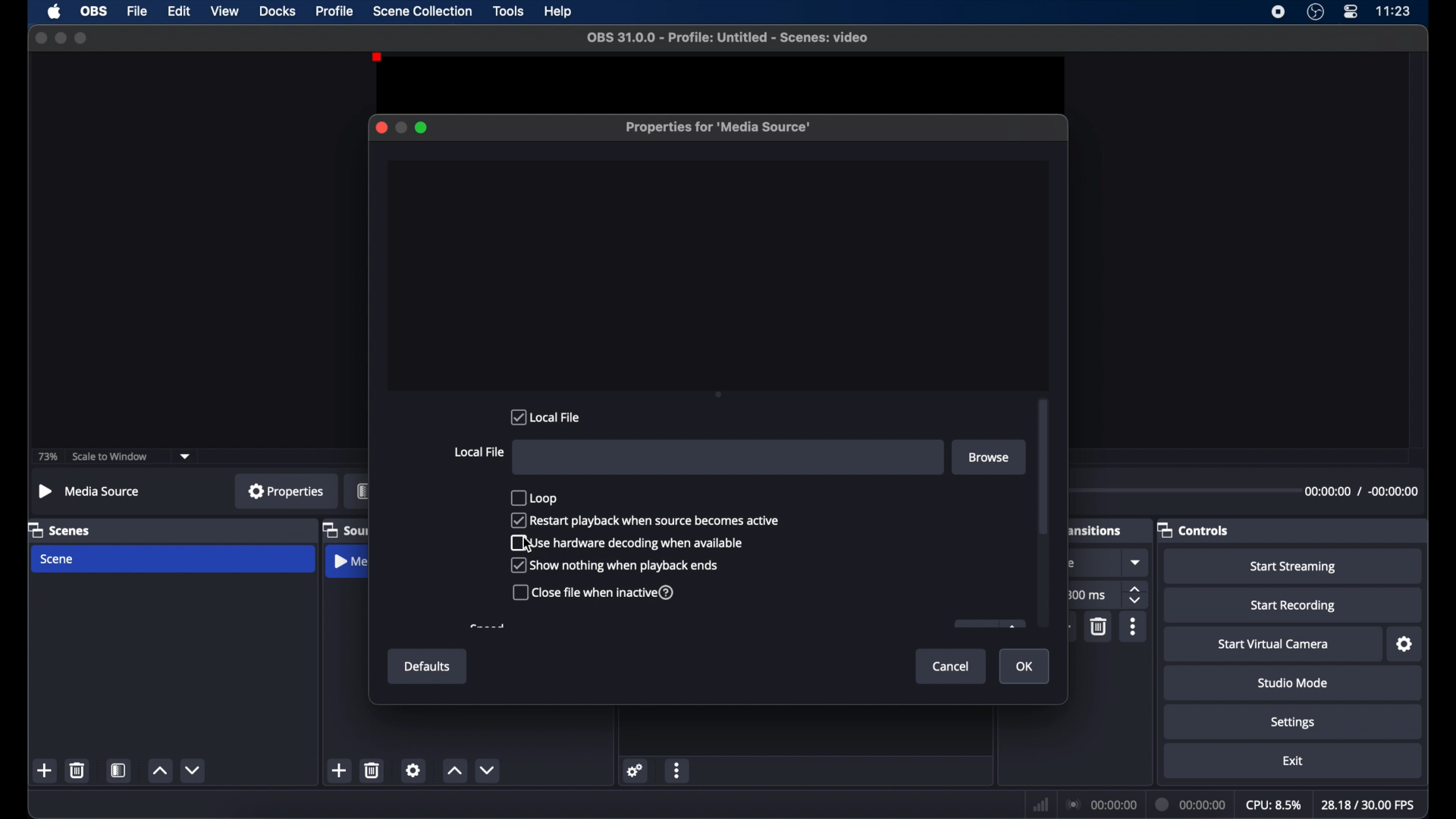 Image resolution: width=1456 pixels, height=819 pixels. Describe the element at coordinates (1066, 563) in the screenshot. I see `obscure text` at that location.